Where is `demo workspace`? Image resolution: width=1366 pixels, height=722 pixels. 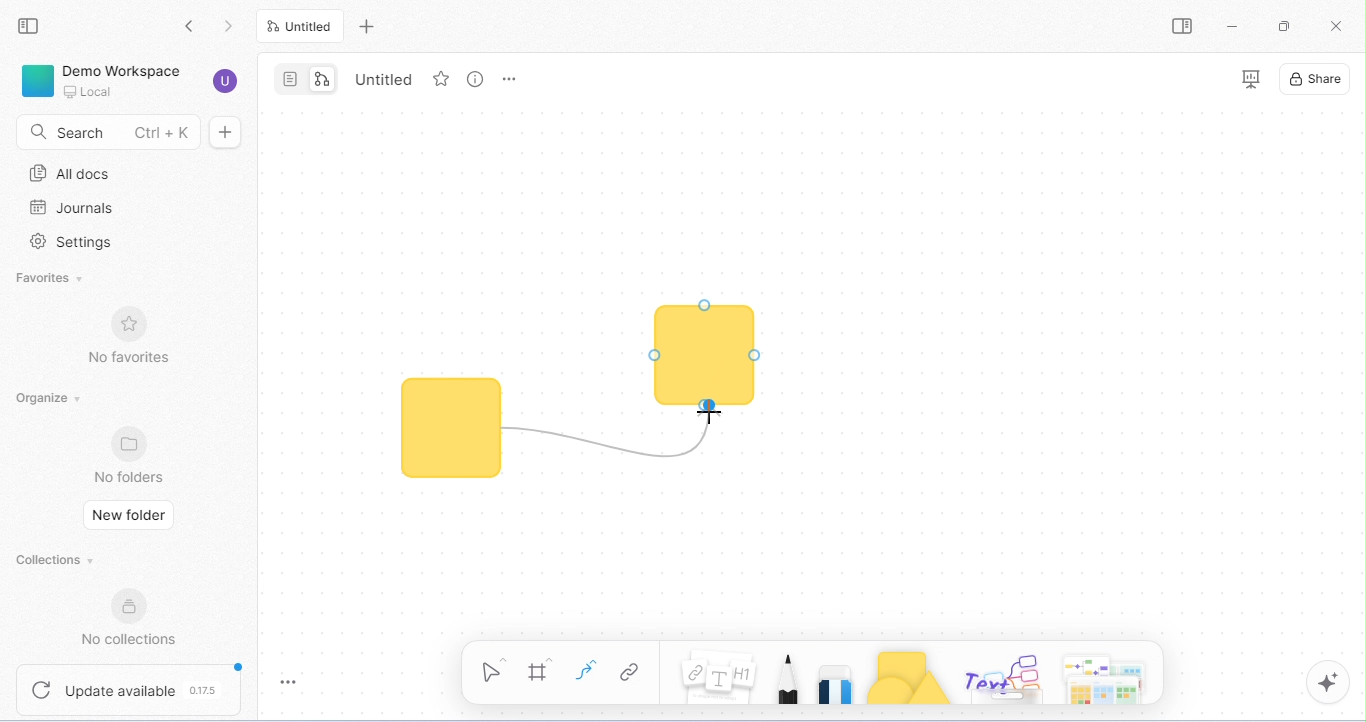 demo workspace is located at coordinates (101, 79).